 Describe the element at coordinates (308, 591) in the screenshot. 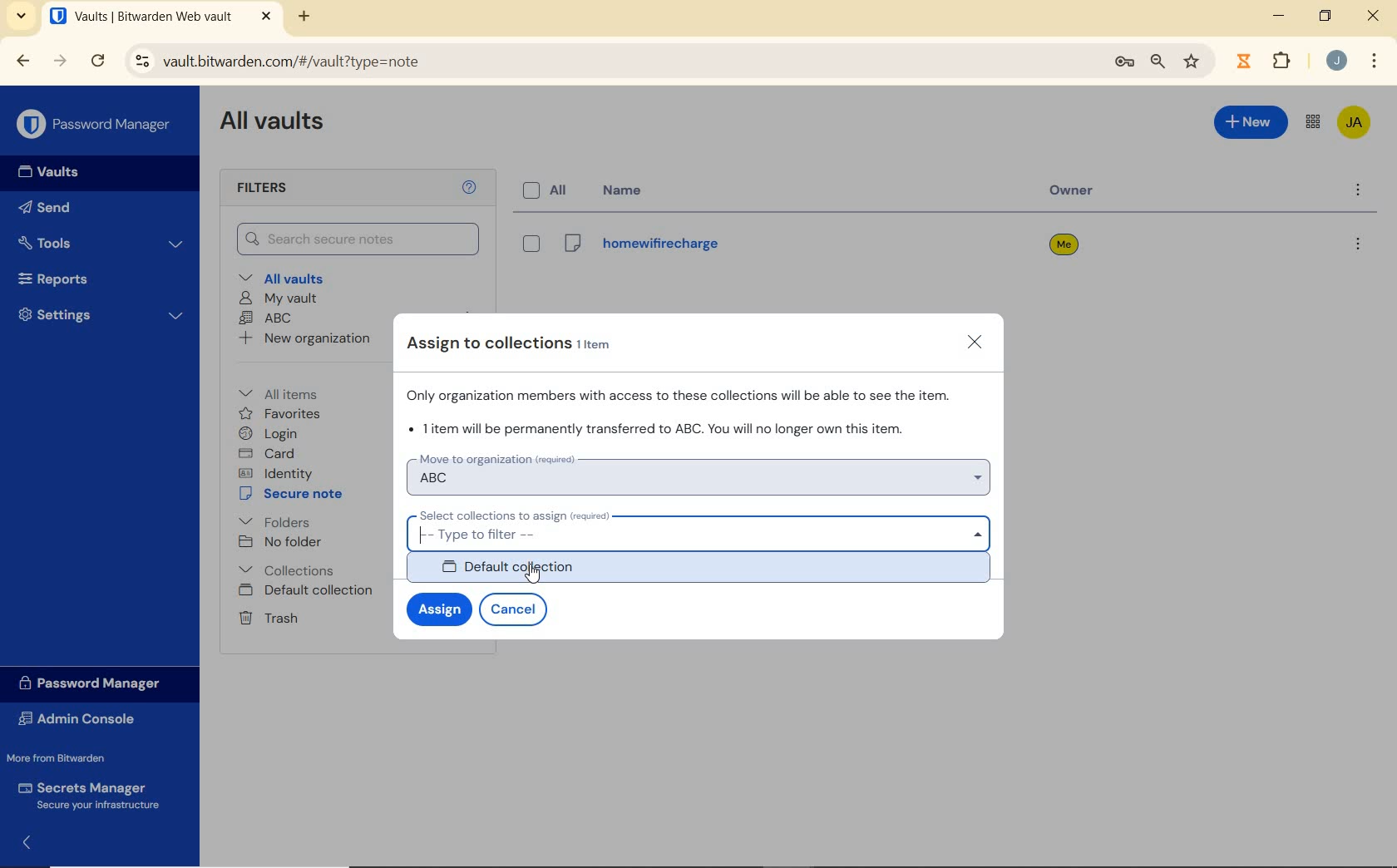

I see `Default collection` at that location.